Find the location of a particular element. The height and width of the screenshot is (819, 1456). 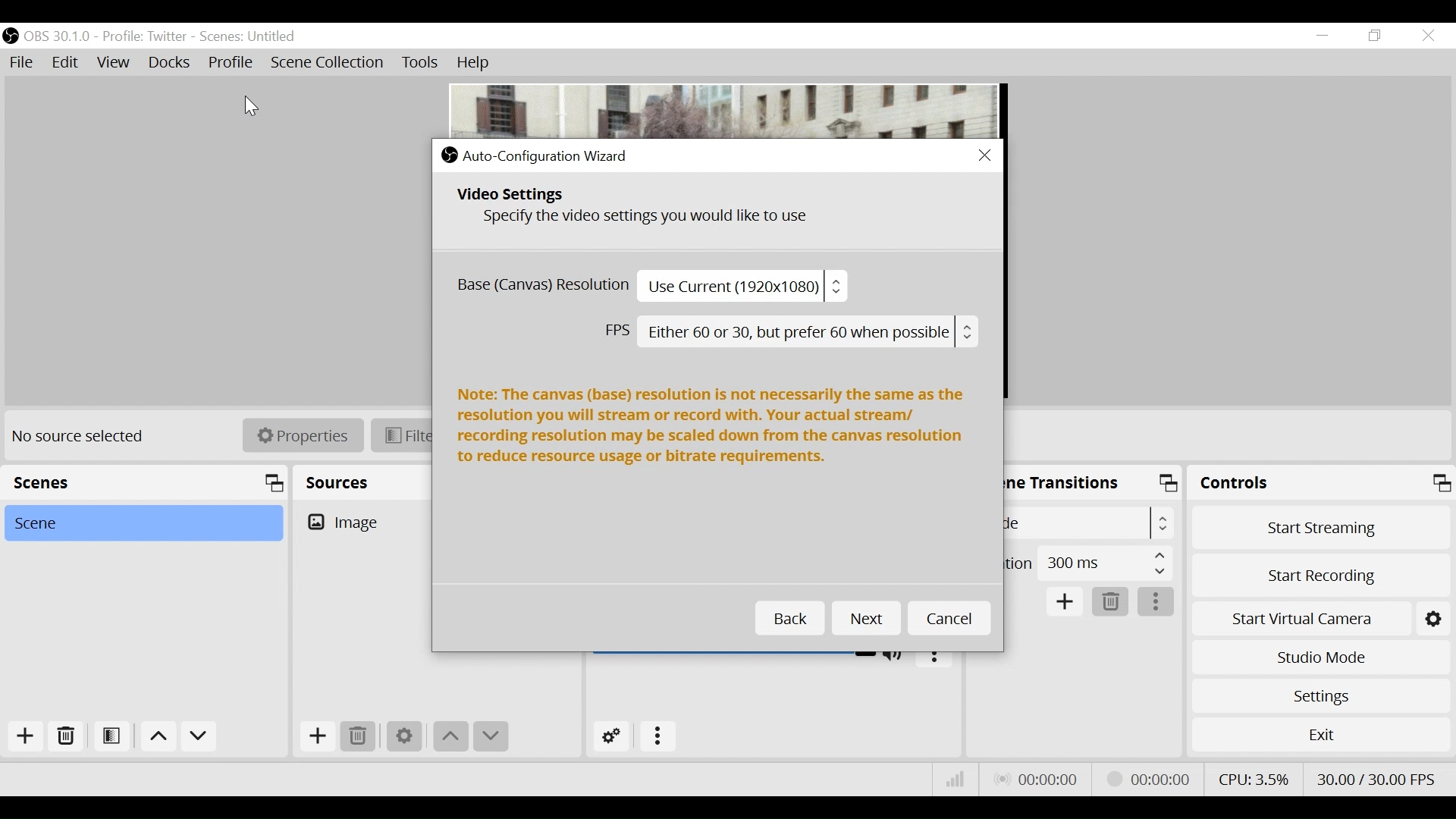

Bitrate is located at coordinates (955, 781).